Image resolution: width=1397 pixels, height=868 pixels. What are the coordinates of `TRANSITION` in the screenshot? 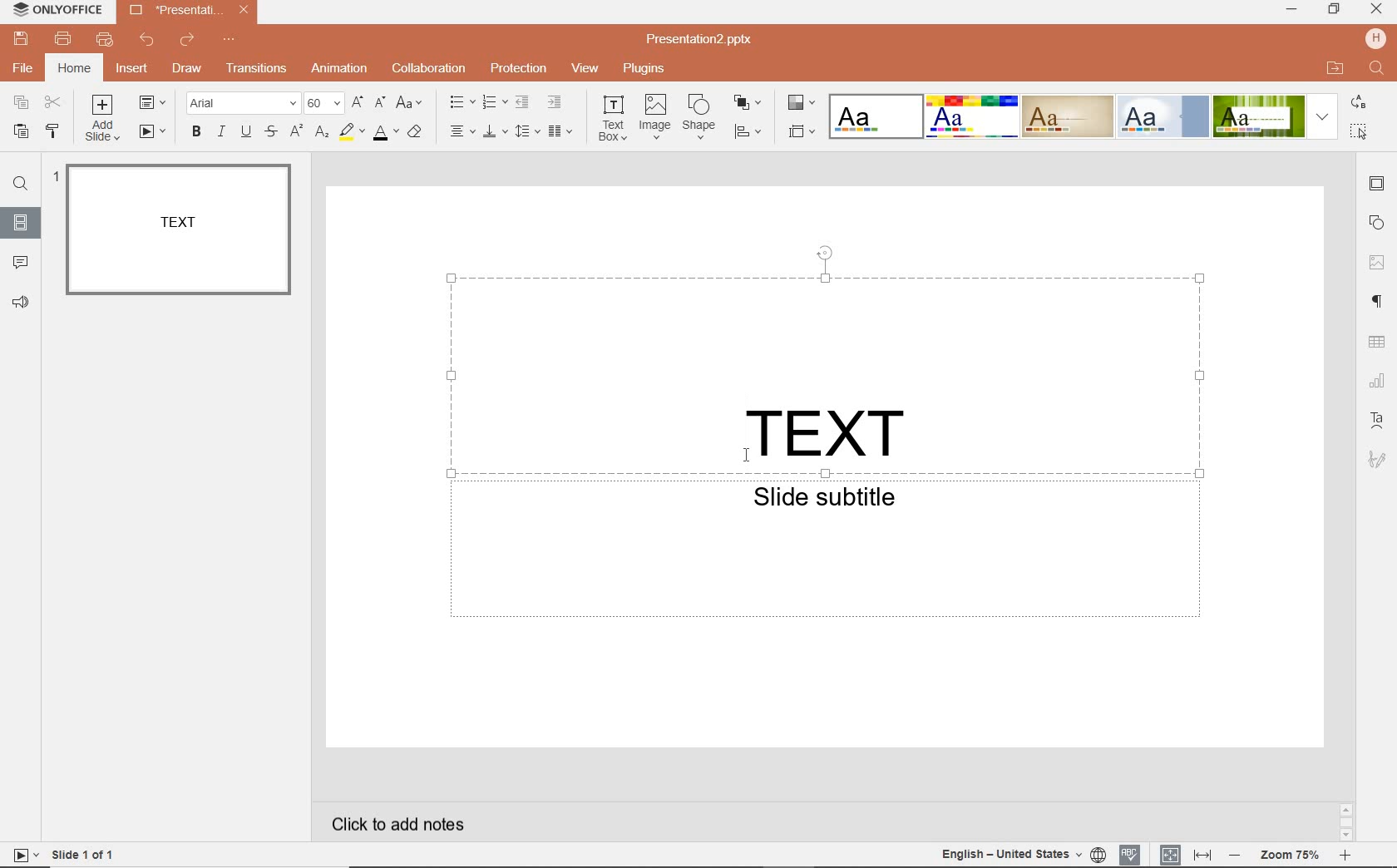 It's located at (258, 68).